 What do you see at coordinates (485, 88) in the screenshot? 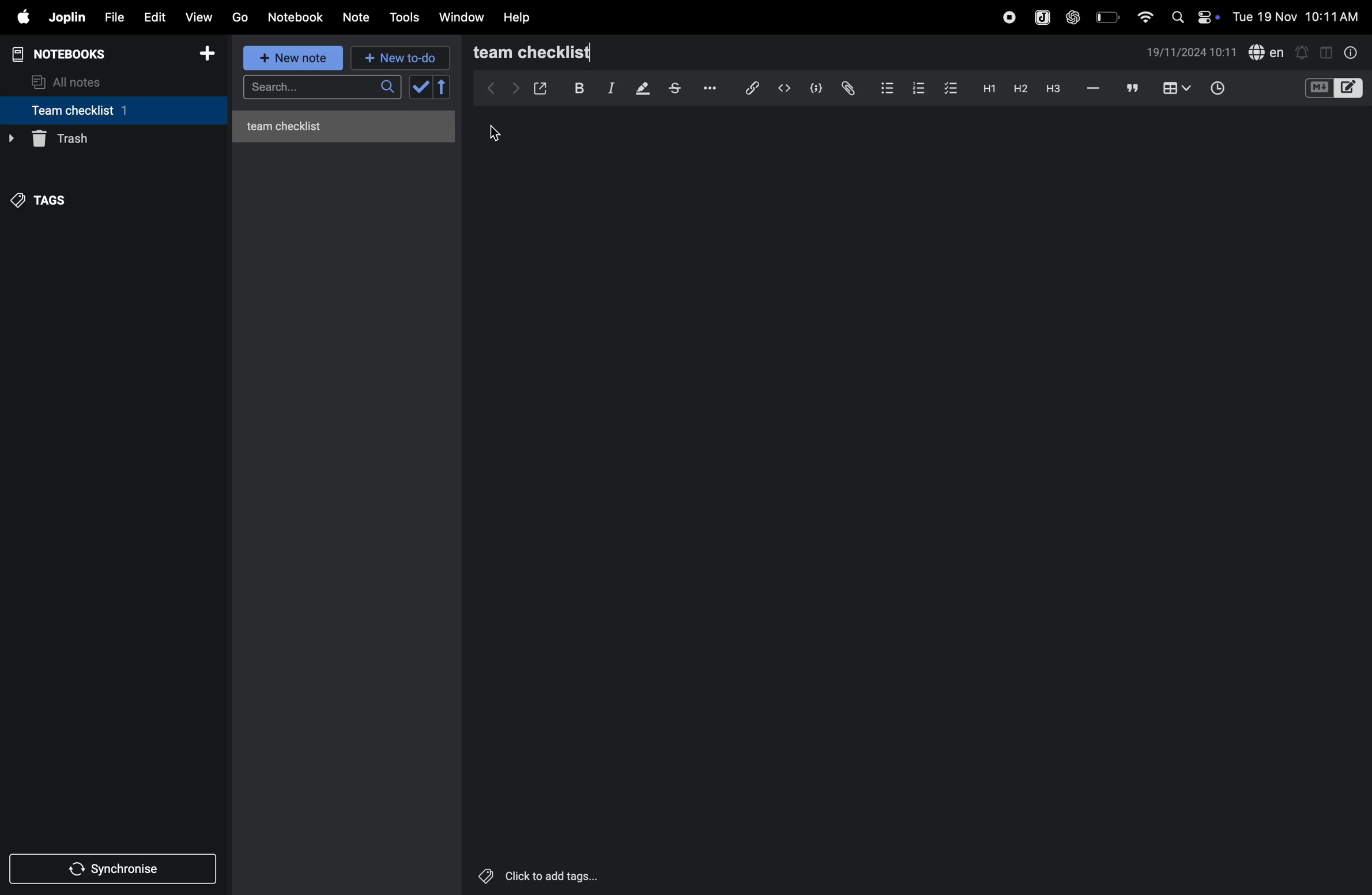
I see `backward` at bounding box center [485, 88].